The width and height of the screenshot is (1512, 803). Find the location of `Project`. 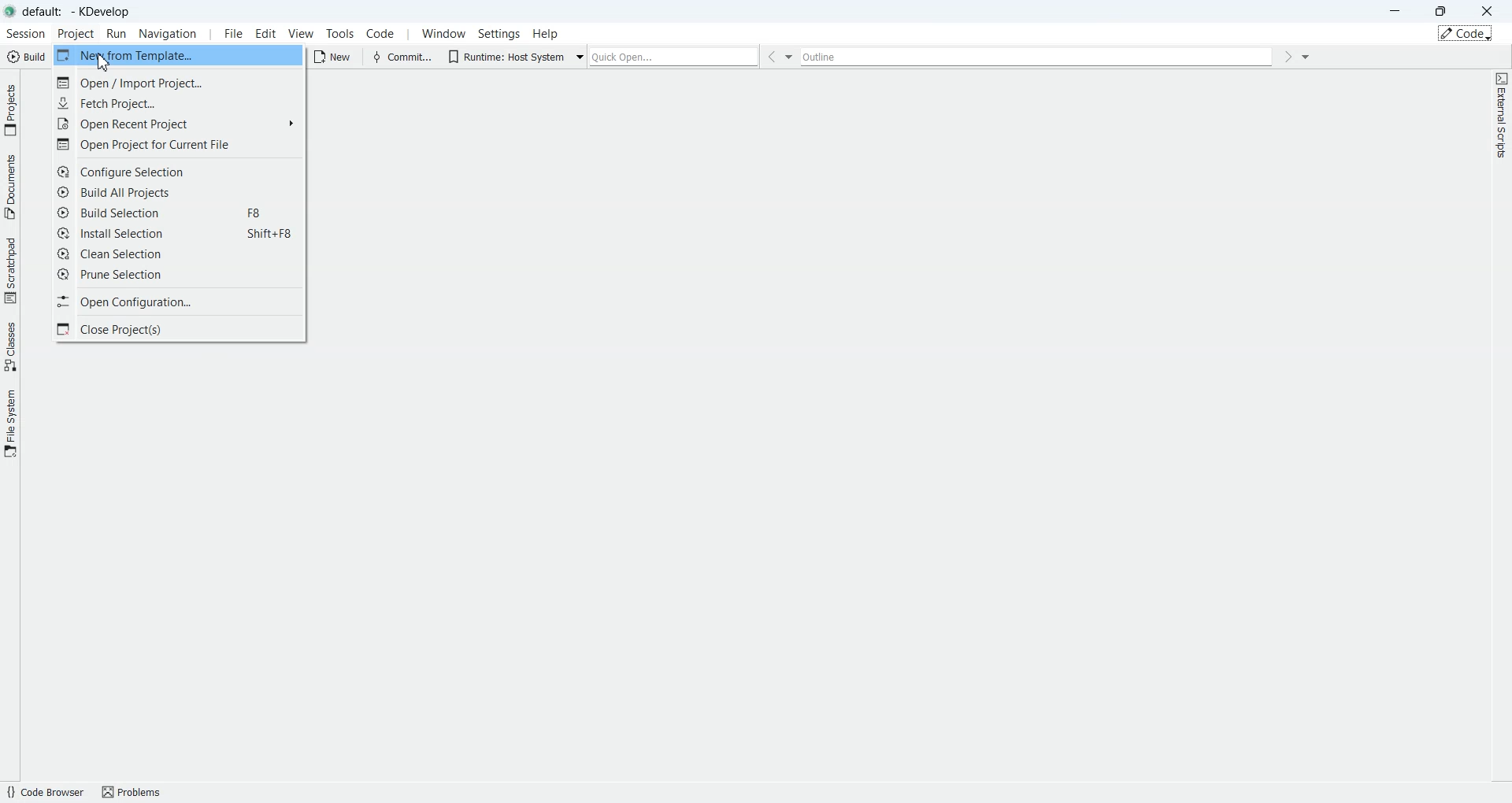

Project is located at coordinates (76, 34).